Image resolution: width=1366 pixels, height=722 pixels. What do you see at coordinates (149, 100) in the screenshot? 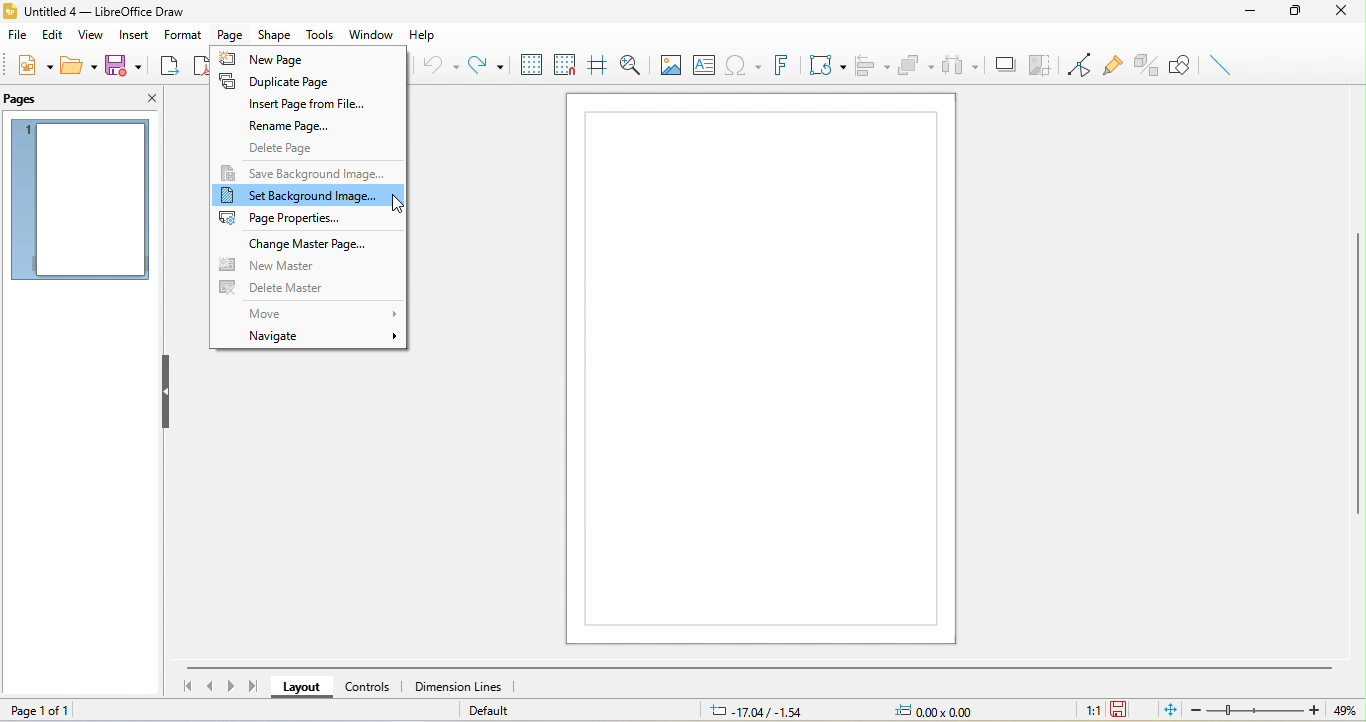
I see `close` at bounding box center [149, 100].